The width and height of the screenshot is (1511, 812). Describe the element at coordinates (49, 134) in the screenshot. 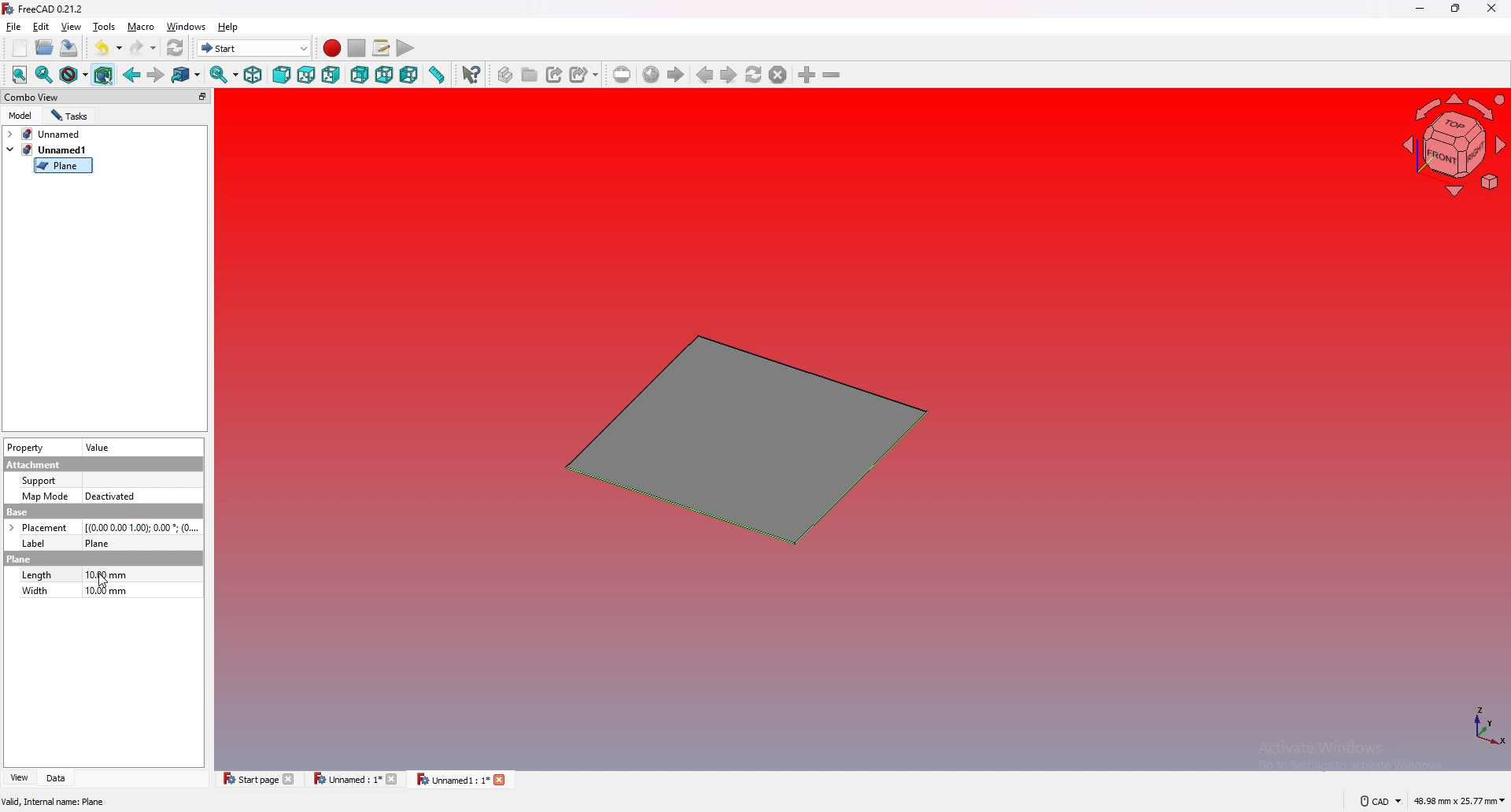

I see `tab1: Unnamed` at that location.